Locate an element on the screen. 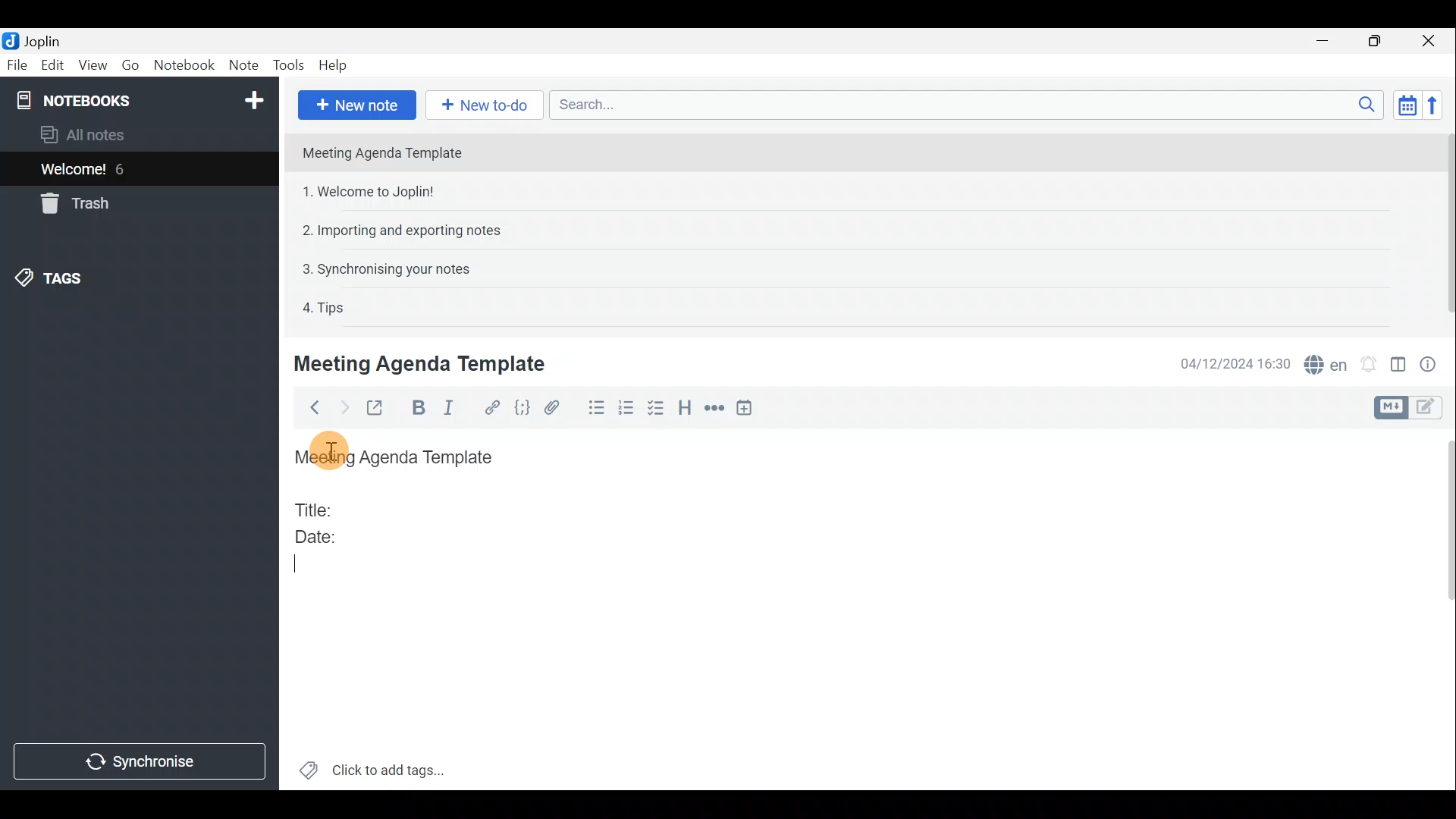  Toggle editors is located at coordinates (1429, 409).